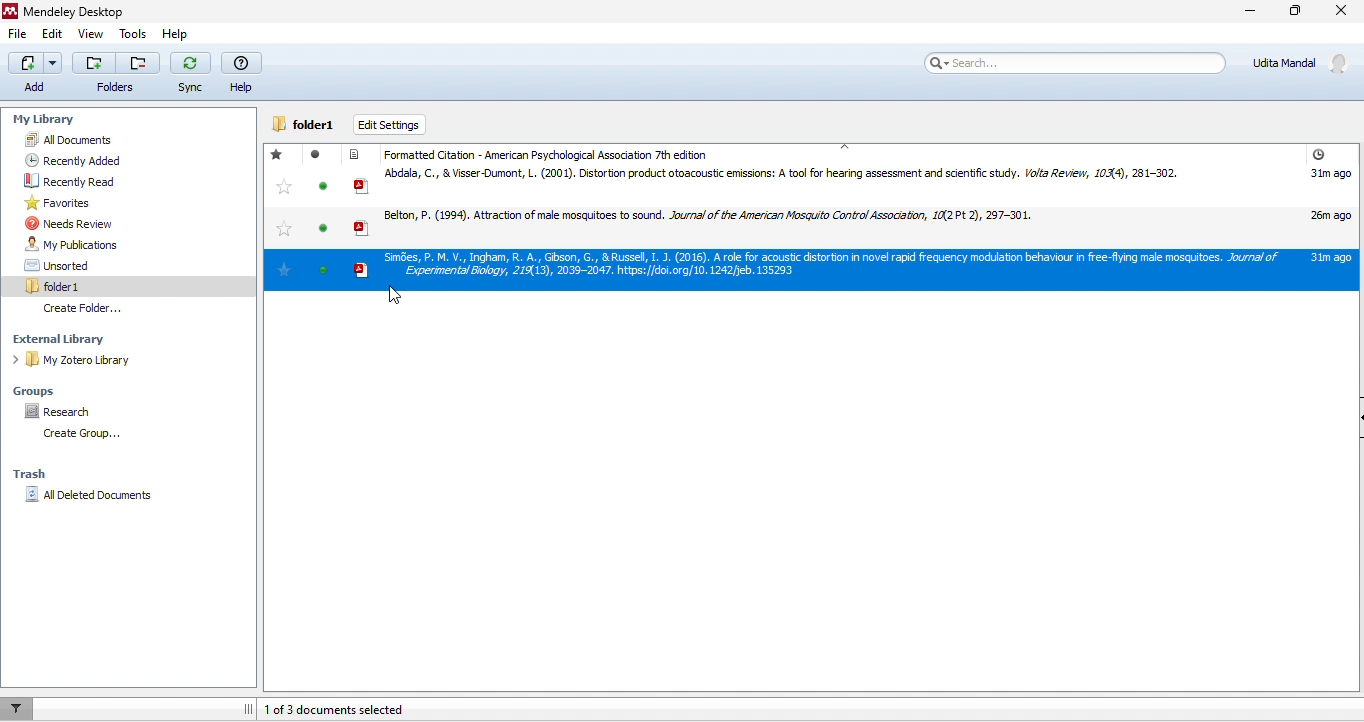  Describe the element at coordinates (1318, 154) in the screenshot. I see `added time` at that location.